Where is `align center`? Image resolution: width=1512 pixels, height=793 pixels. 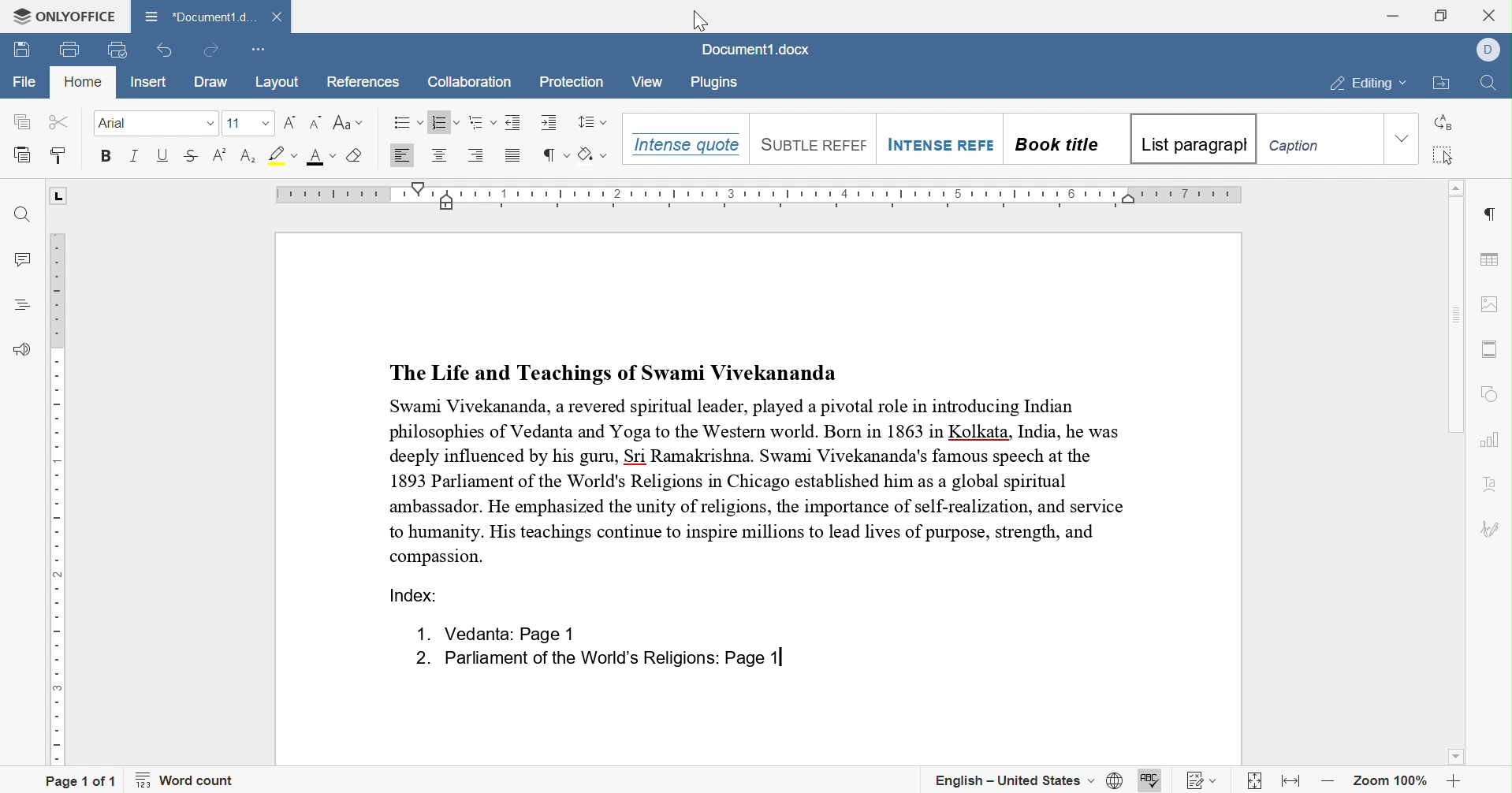
align center is located at coordinates (438, 154).